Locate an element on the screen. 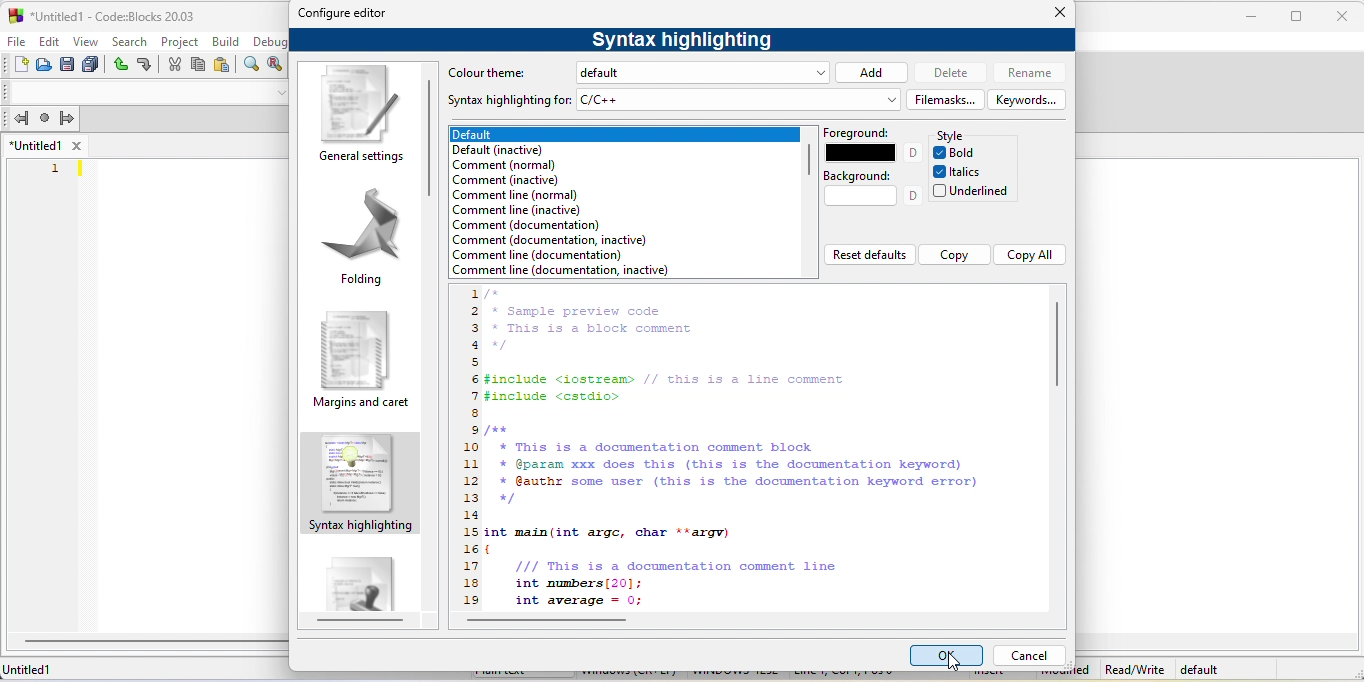 The width and height of the screenshot is (1364, 682). file masks is located at coordinates (946, 99).